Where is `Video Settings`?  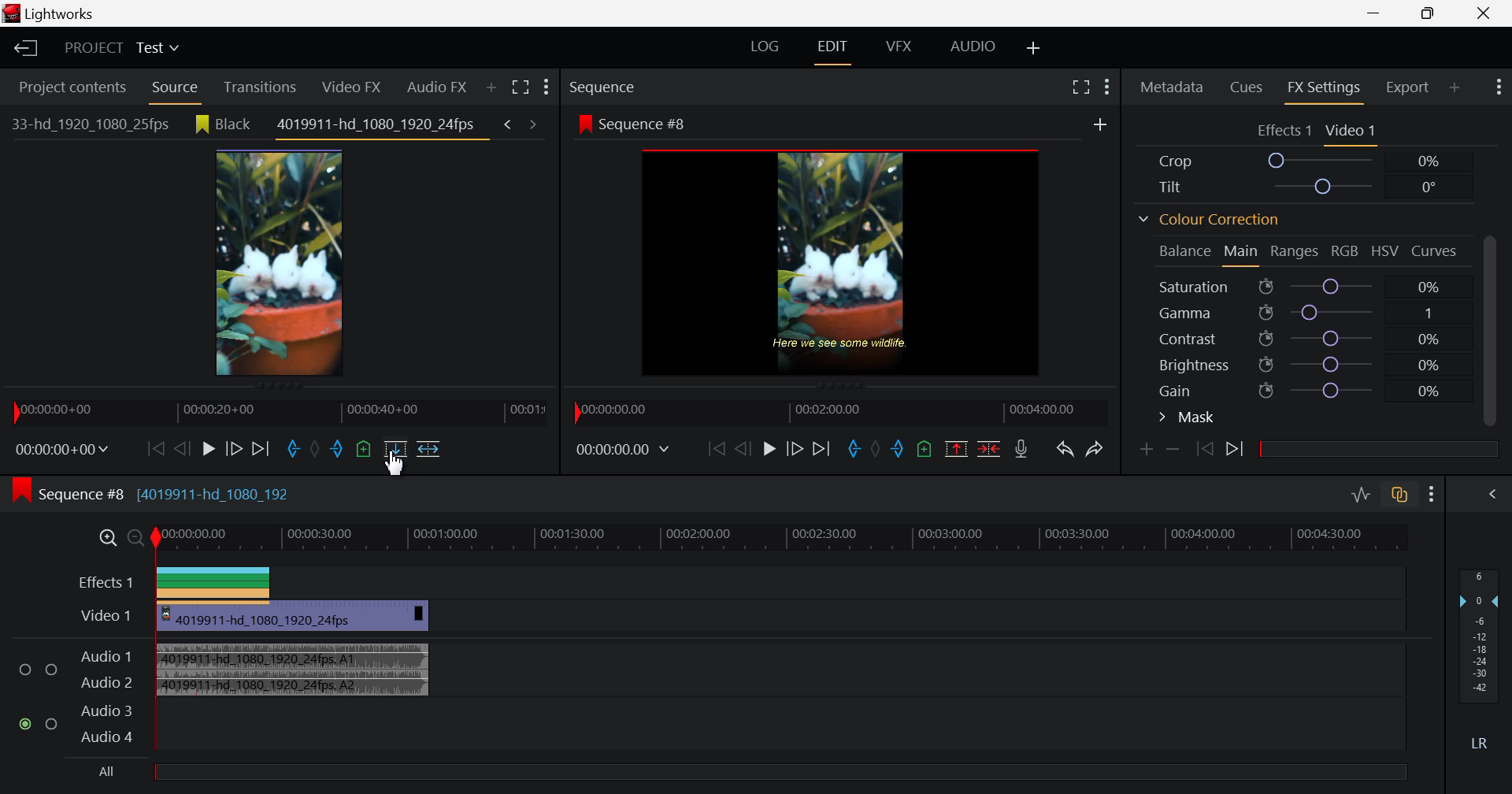 Video Settings is located at coordinates (1352, 132).